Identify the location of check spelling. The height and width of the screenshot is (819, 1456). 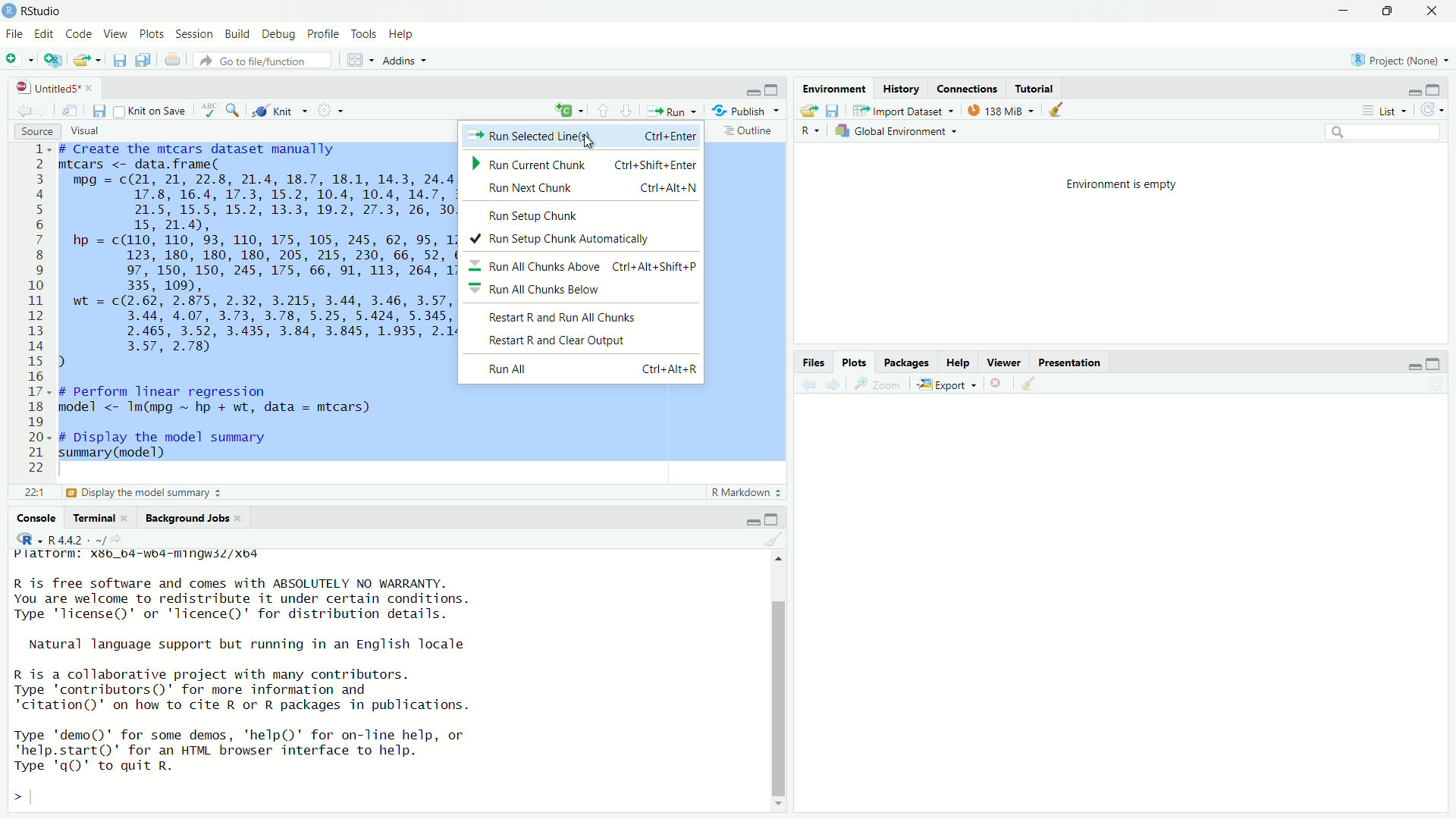
(208, 111).